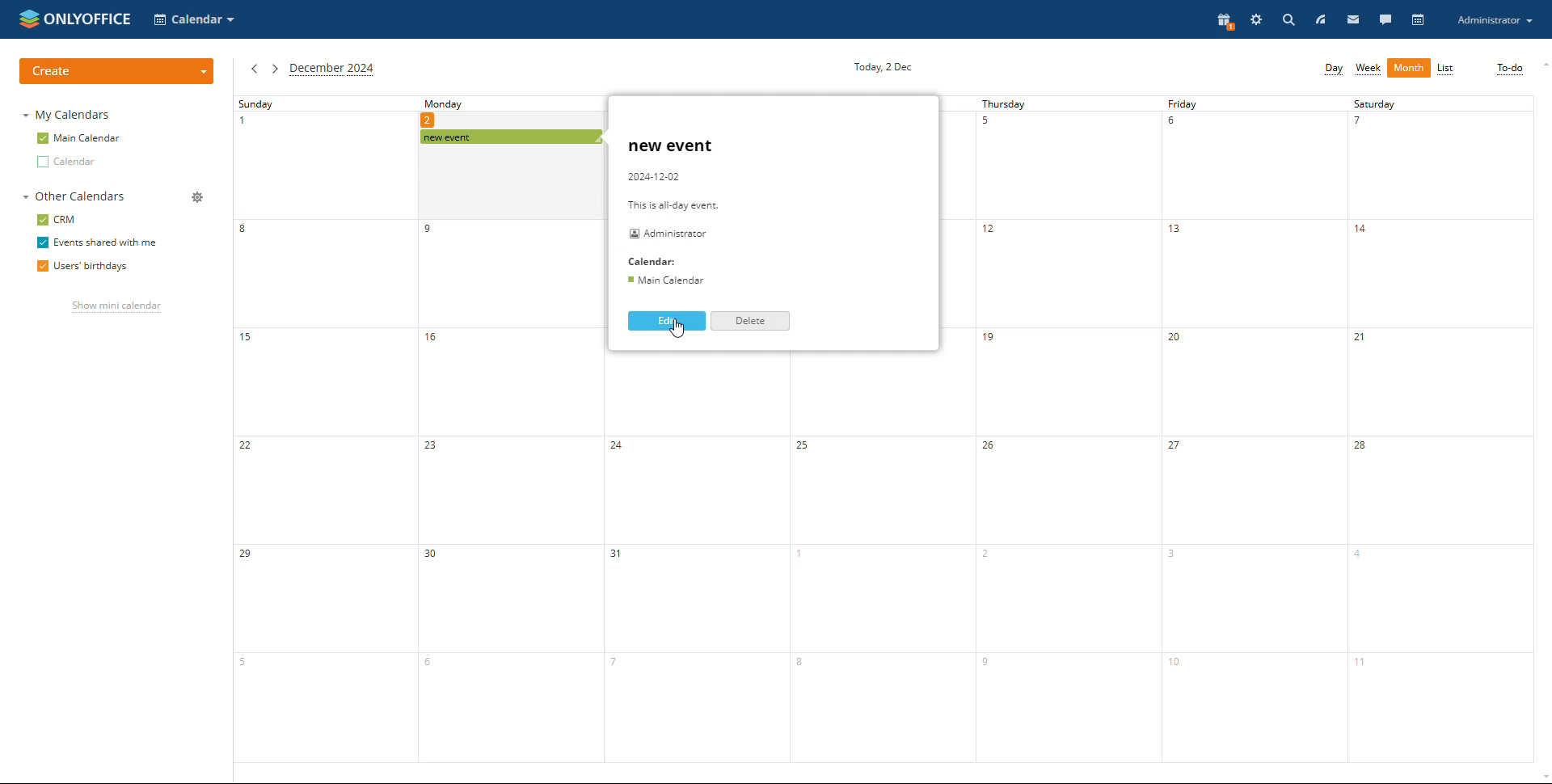  I want to click on events shared with me, so click(97, 242).